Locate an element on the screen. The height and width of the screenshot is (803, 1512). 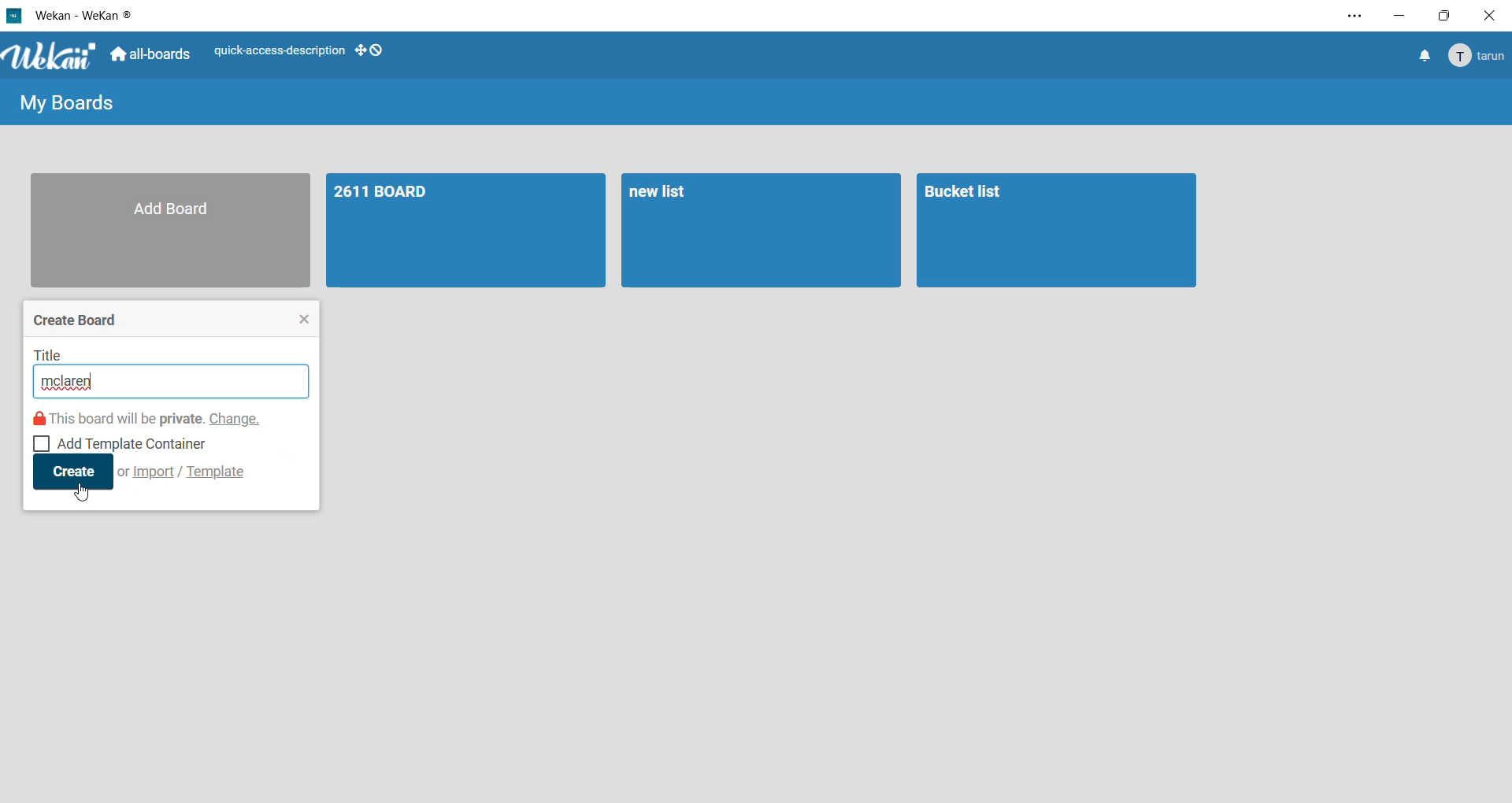
settings is located at coordinates (1355, 14).